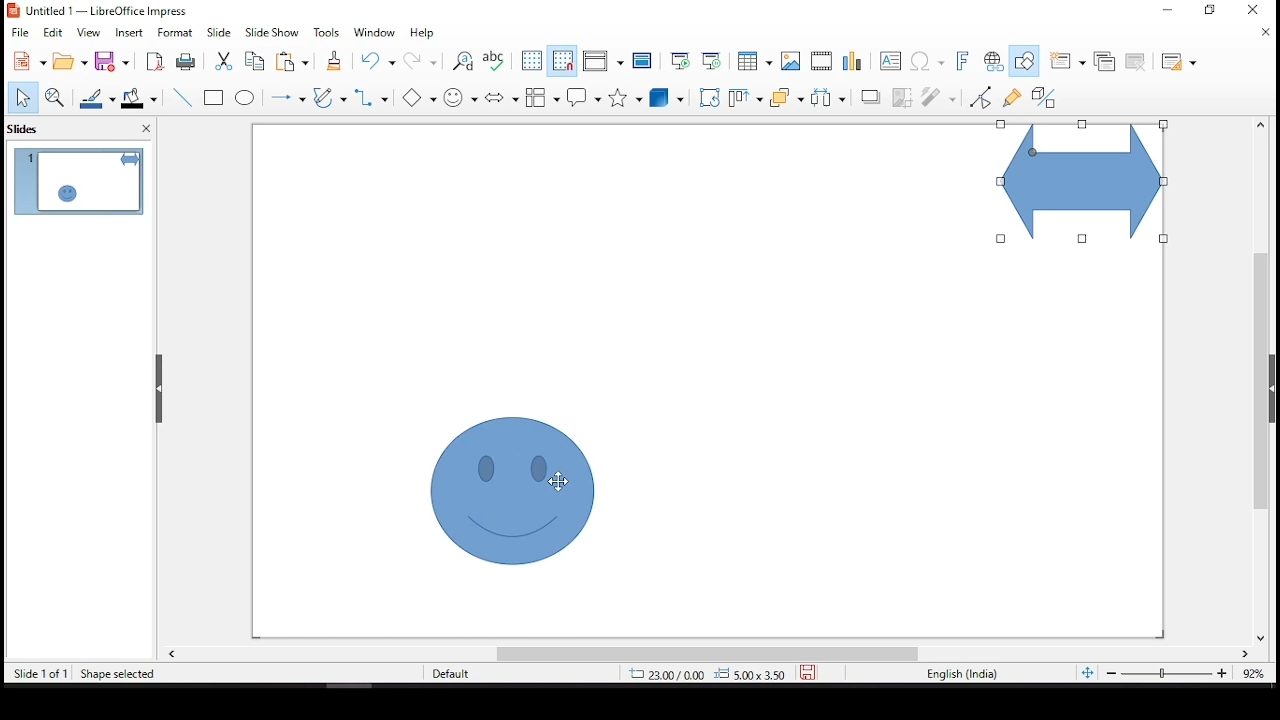 The image size is (1280, 720). I want to click on copy, so click(251, 61).